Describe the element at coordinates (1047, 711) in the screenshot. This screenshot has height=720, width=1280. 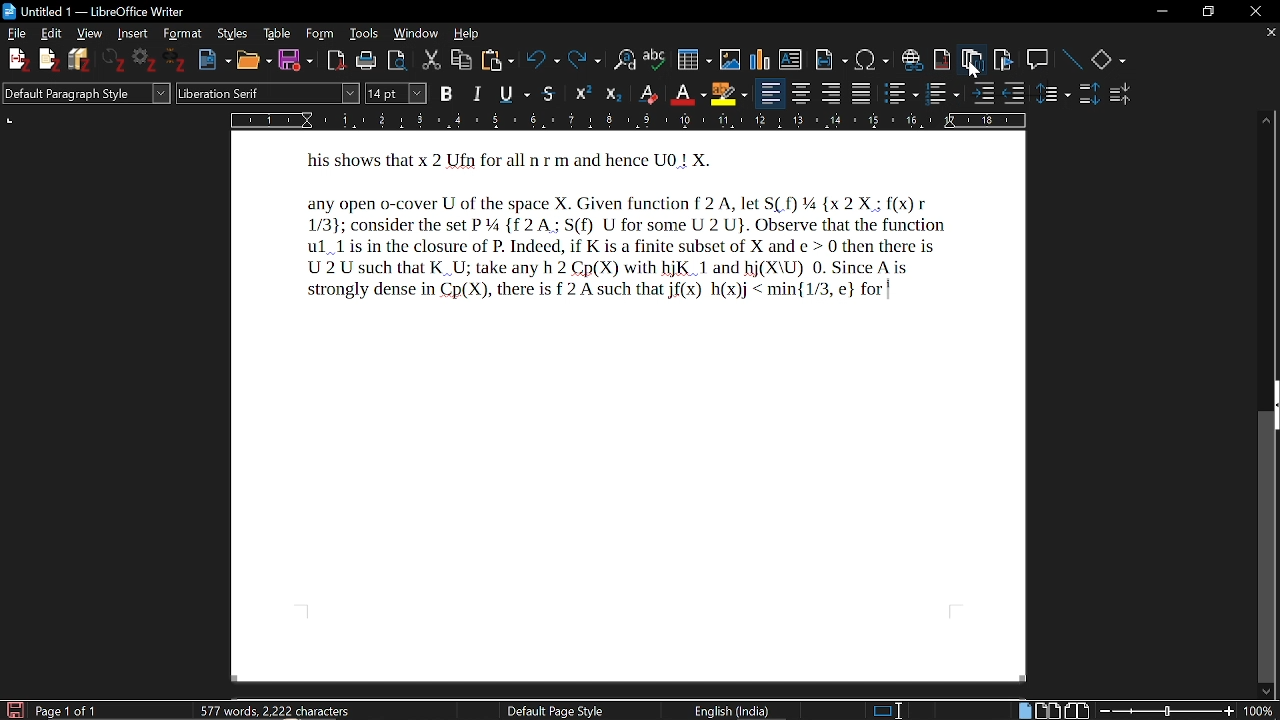
I see `Double page view` at that location.